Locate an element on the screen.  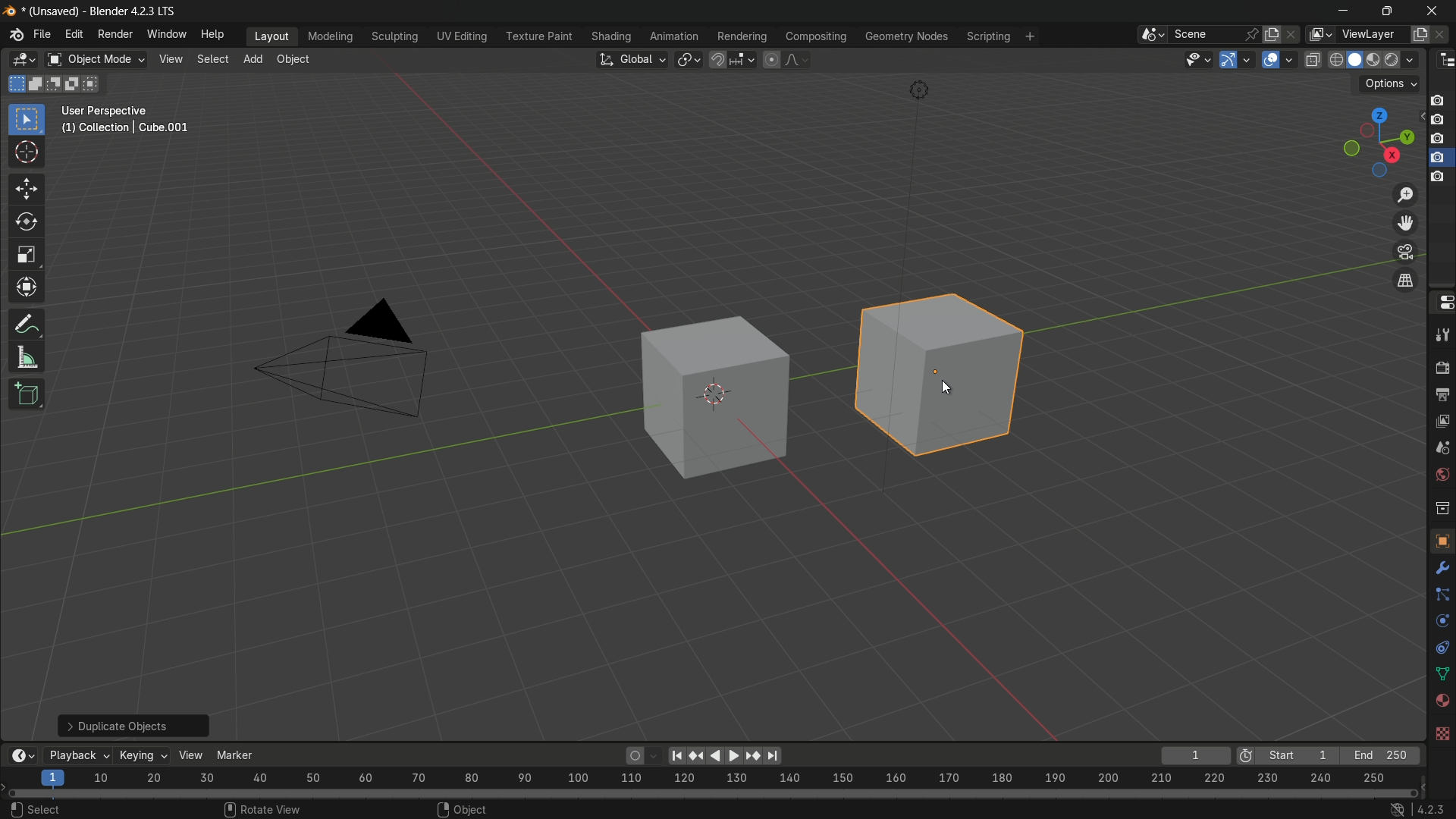
add workspace is located at coordinates (1028, 36).